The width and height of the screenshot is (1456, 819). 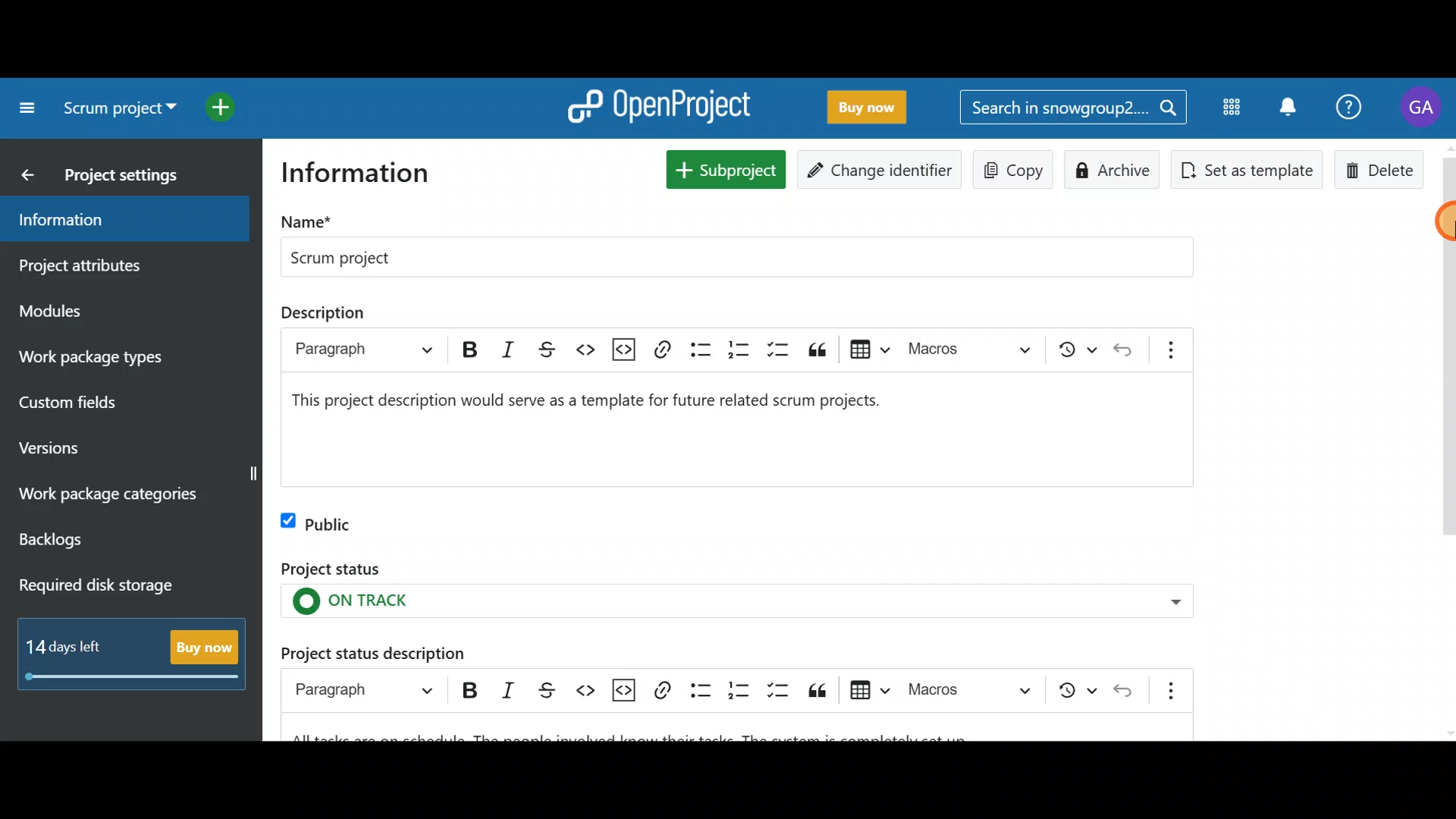 What do you see at coordinates (470, 349) in the screenshot?
I see `bold` at bounding box center [470, 349].